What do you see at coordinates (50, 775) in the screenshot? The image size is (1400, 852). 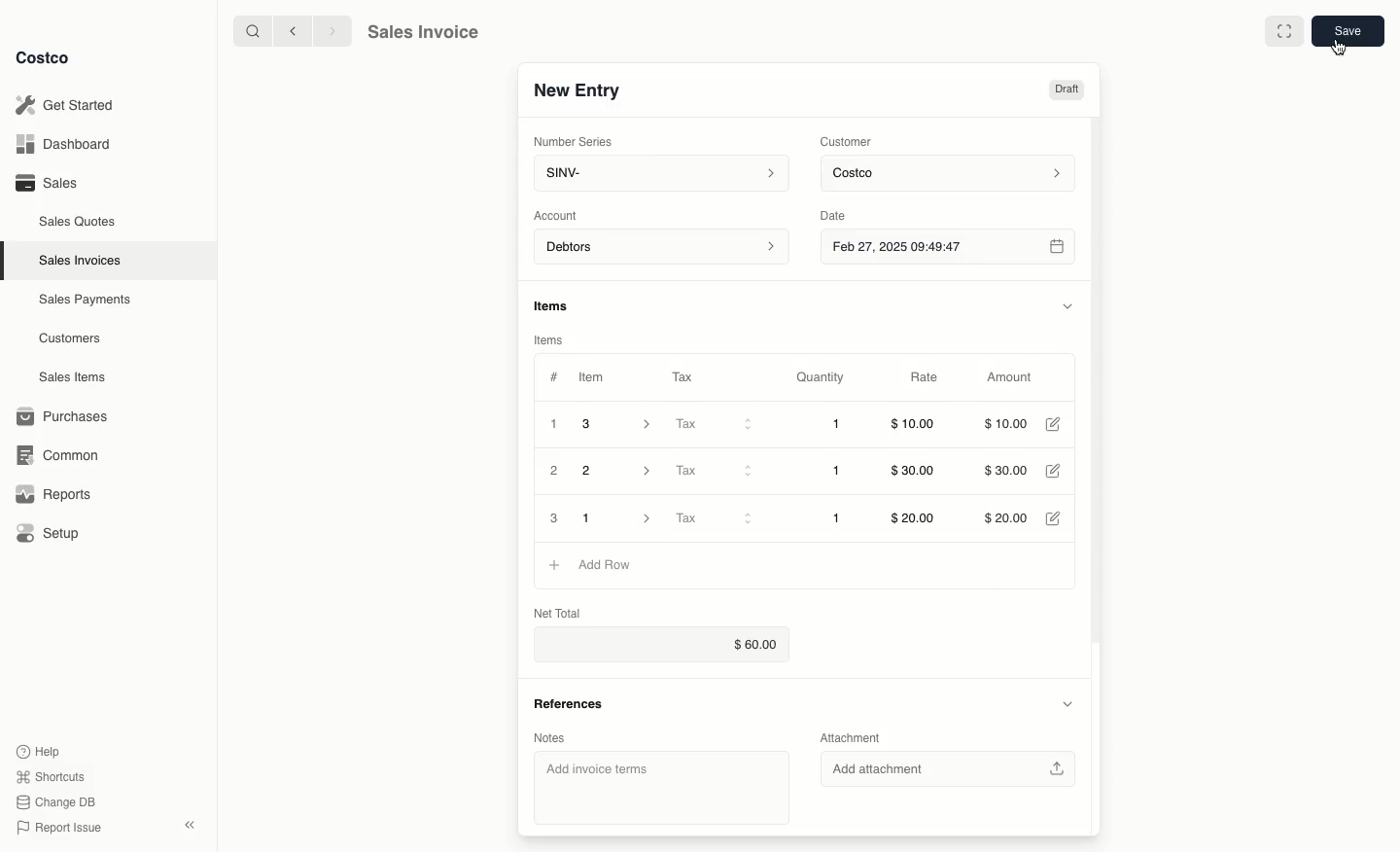 I see `Shortcuts` at bounding box center [50, 775].